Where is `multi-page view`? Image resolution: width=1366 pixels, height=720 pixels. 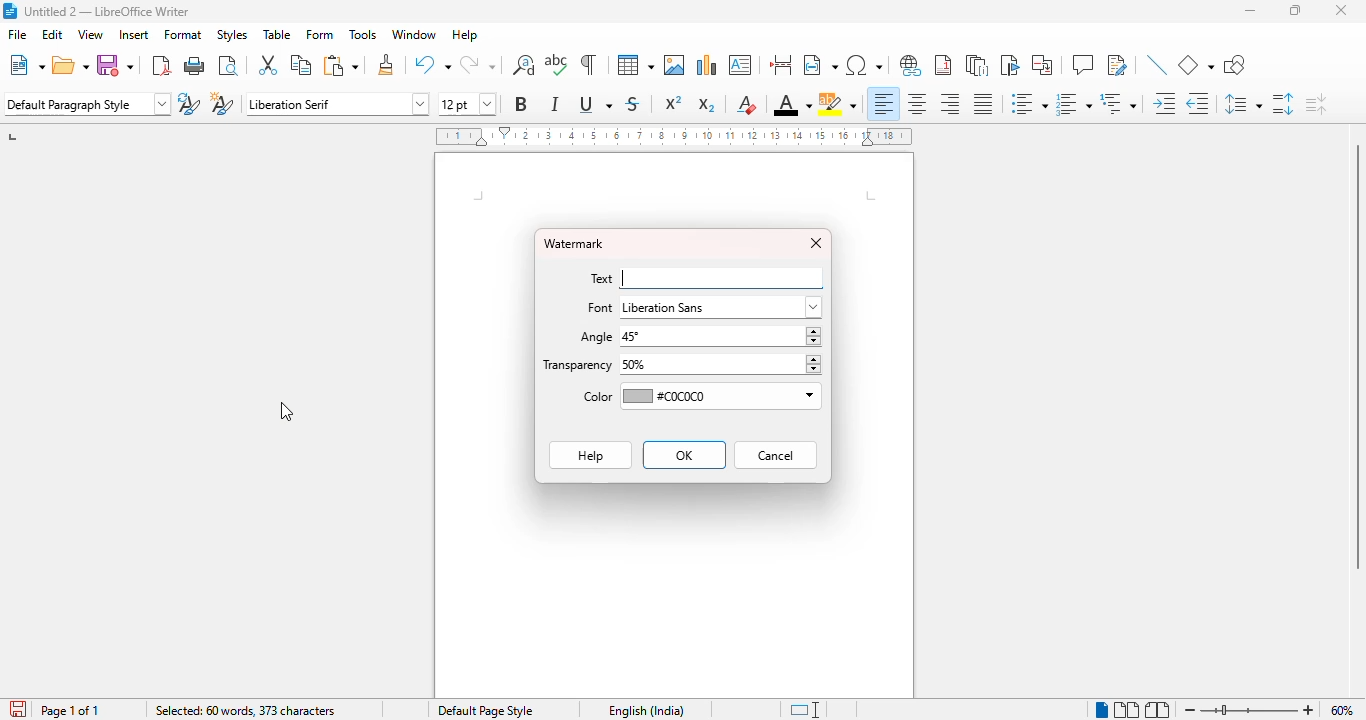
multi-page view is located at coordinates (1126, 709).